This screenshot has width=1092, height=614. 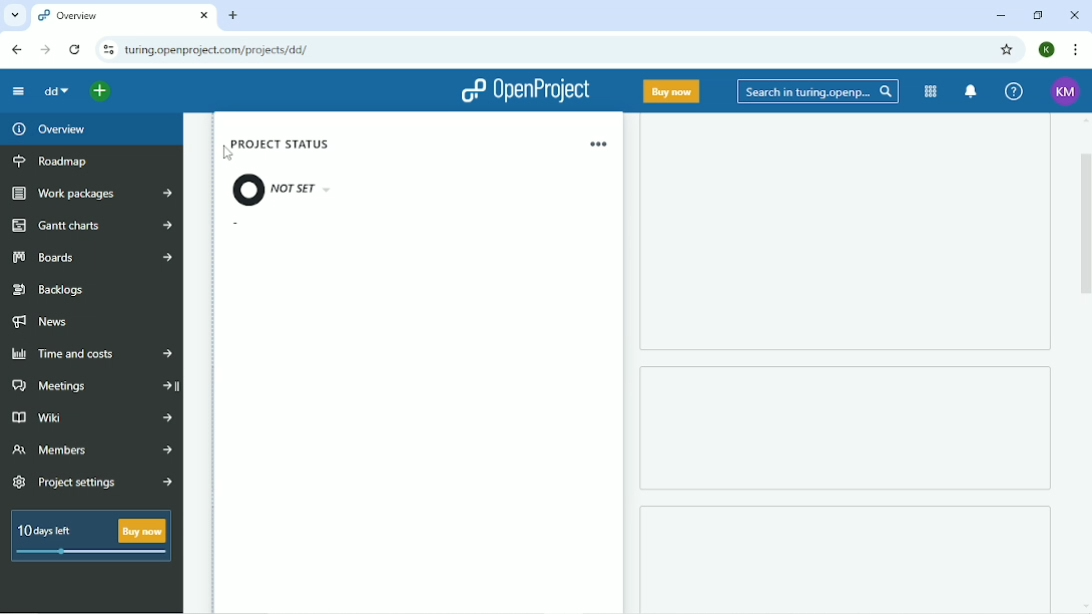 What do you see at coordinates (56, 92) in the screenshot?
I see `dd` at bounding box center [56, 92].